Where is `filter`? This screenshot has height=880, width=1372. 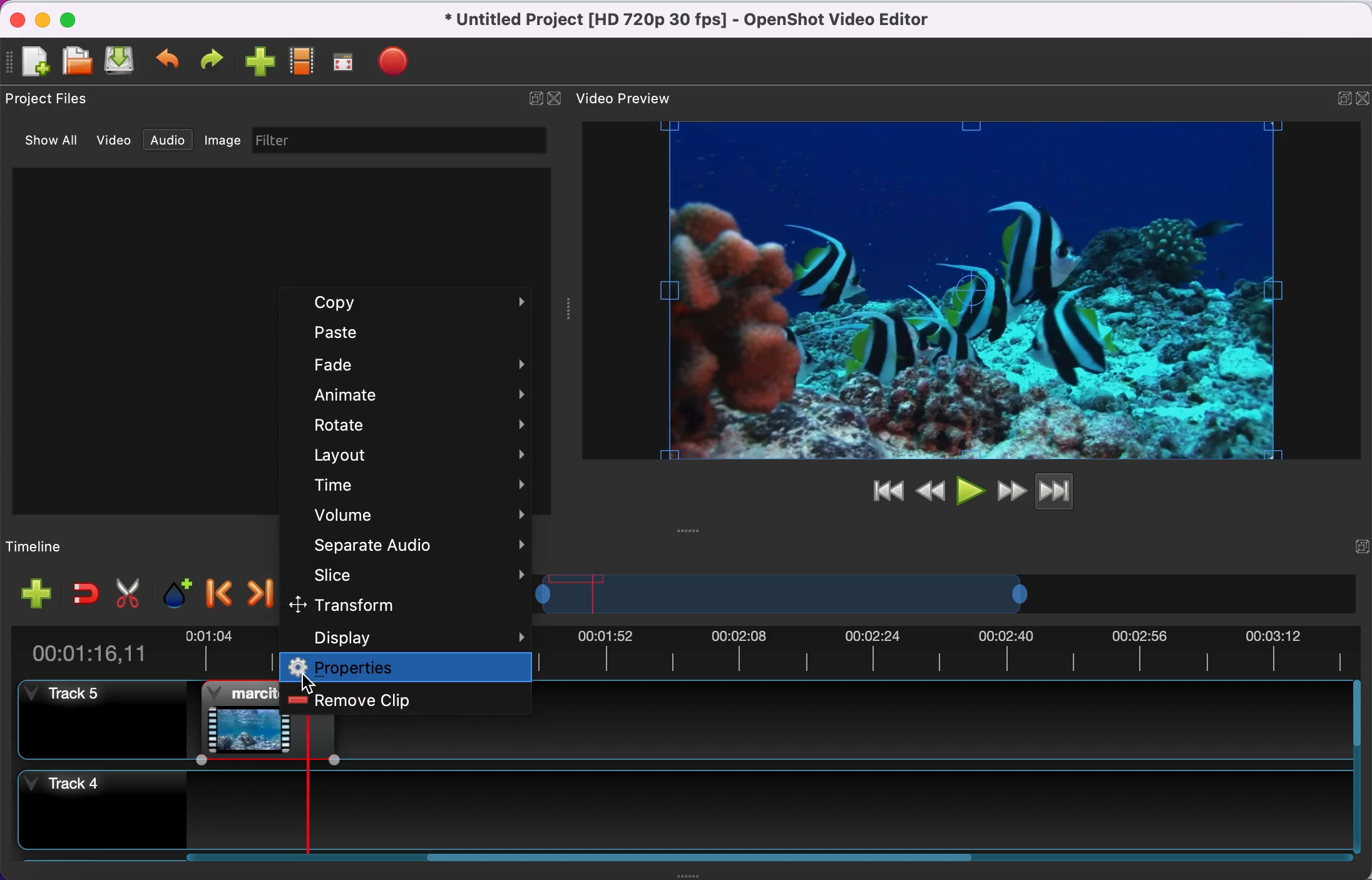
filter is located at coordinates (417, 140).